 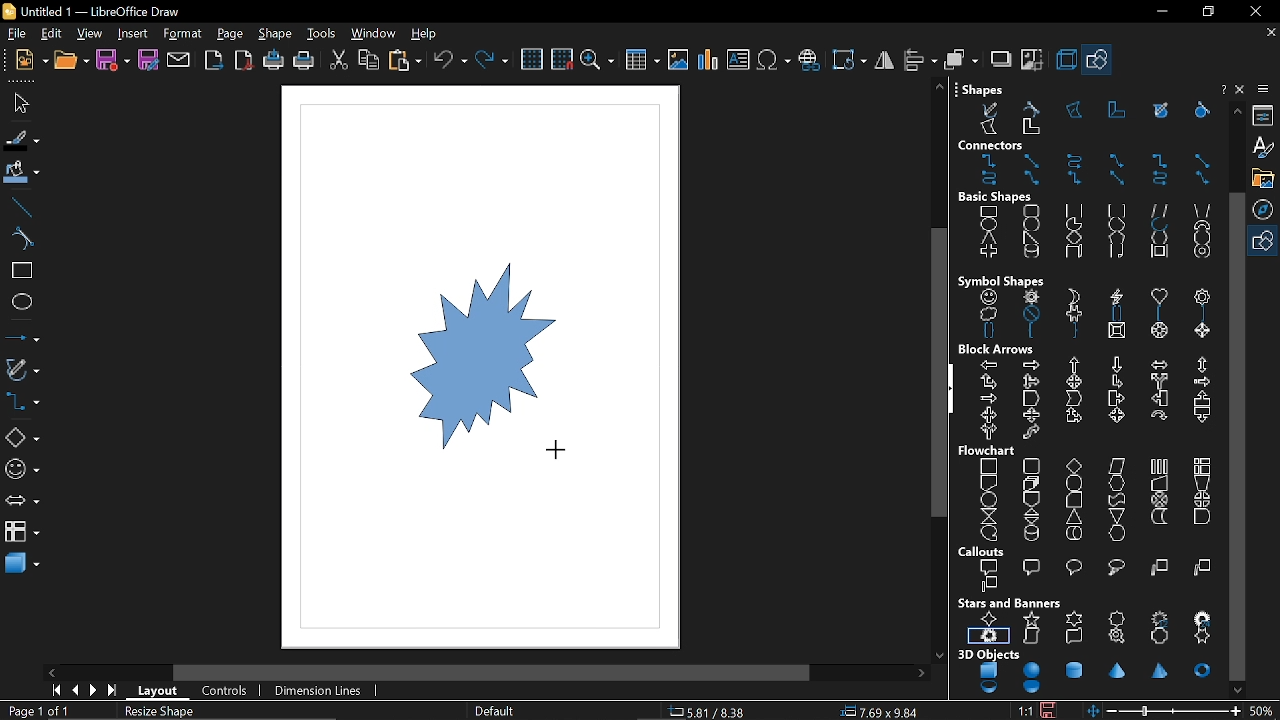 What do you see at coordinates (322, 690) in the screenshot?
I see `dimension lines` at bounding box center [322, 690].